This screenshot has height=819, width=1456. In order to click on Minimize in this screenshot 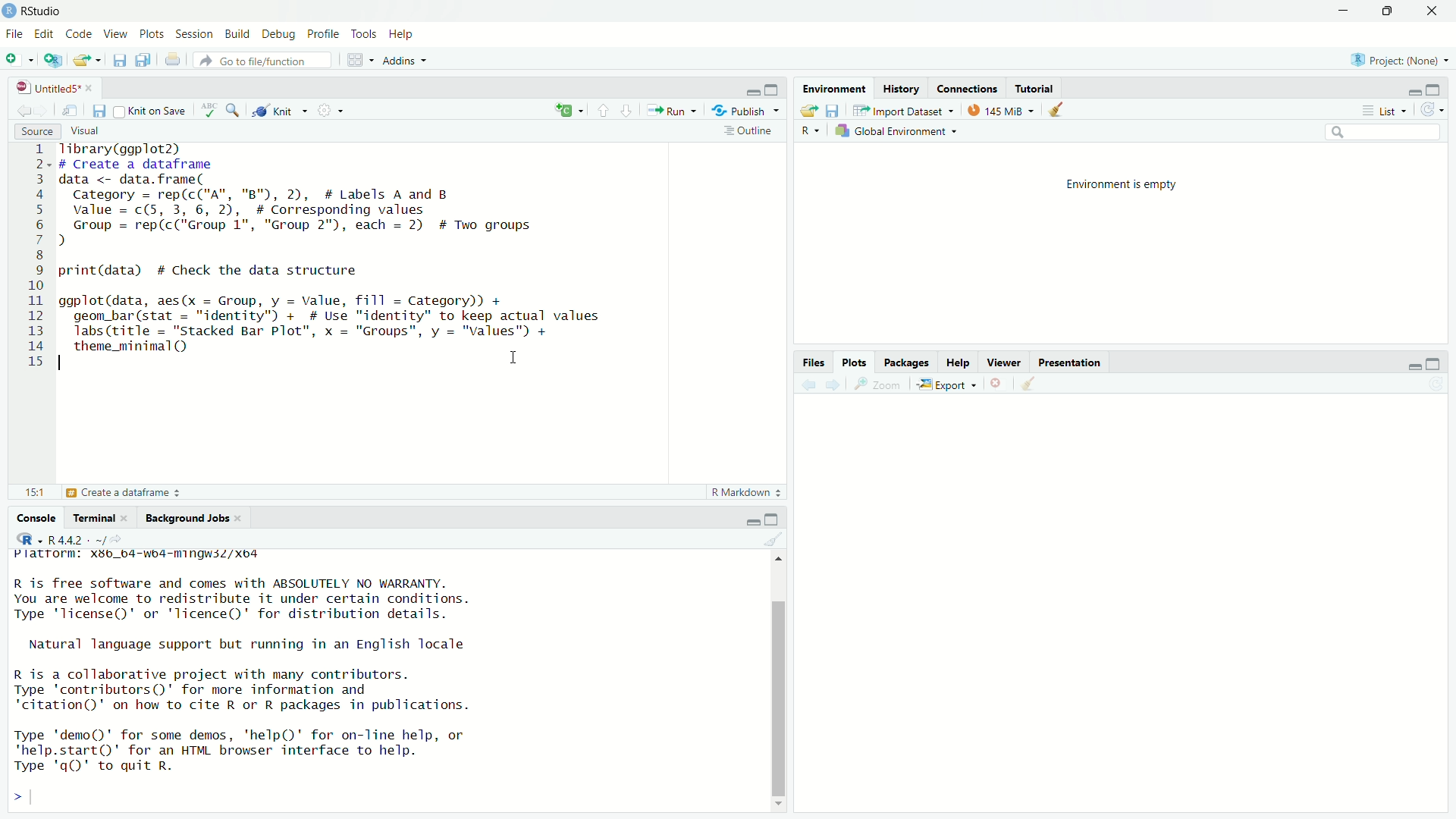, I will do `click(1411, 365)`.